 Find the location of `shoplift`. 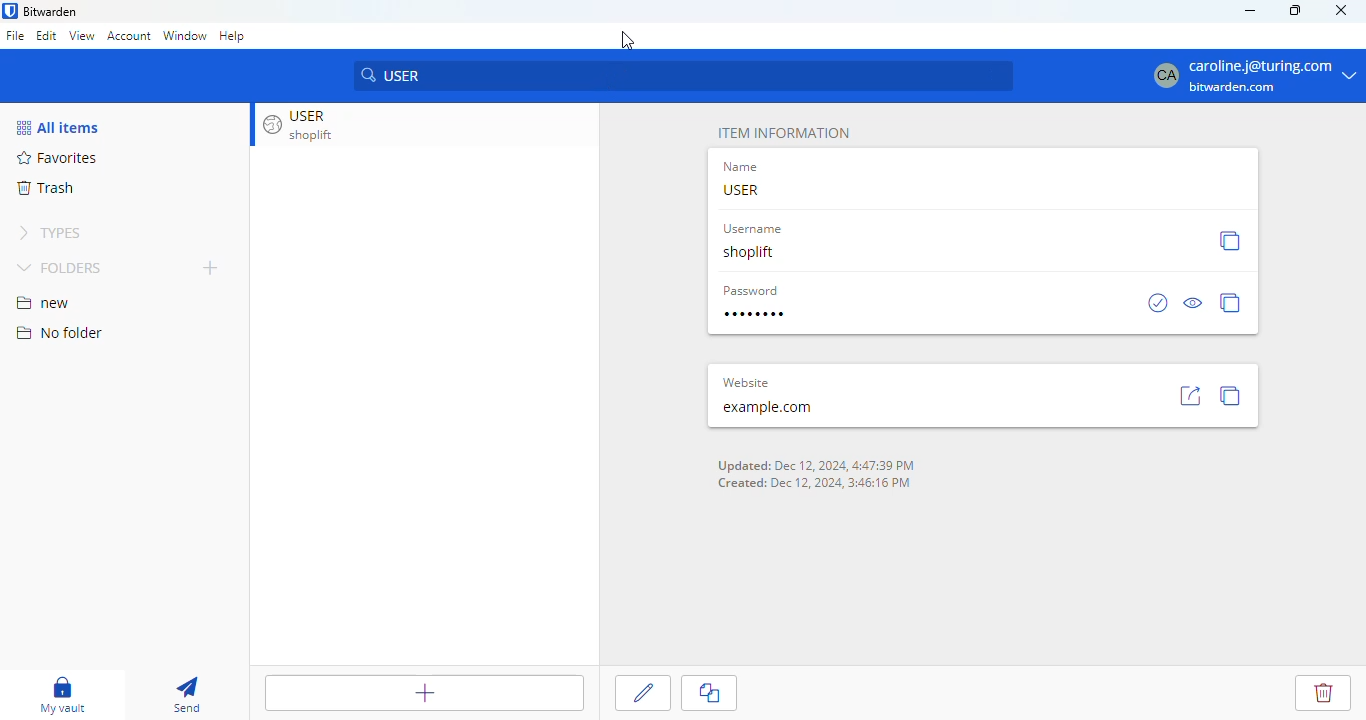

shoplift is located at coordinates (751, 253).